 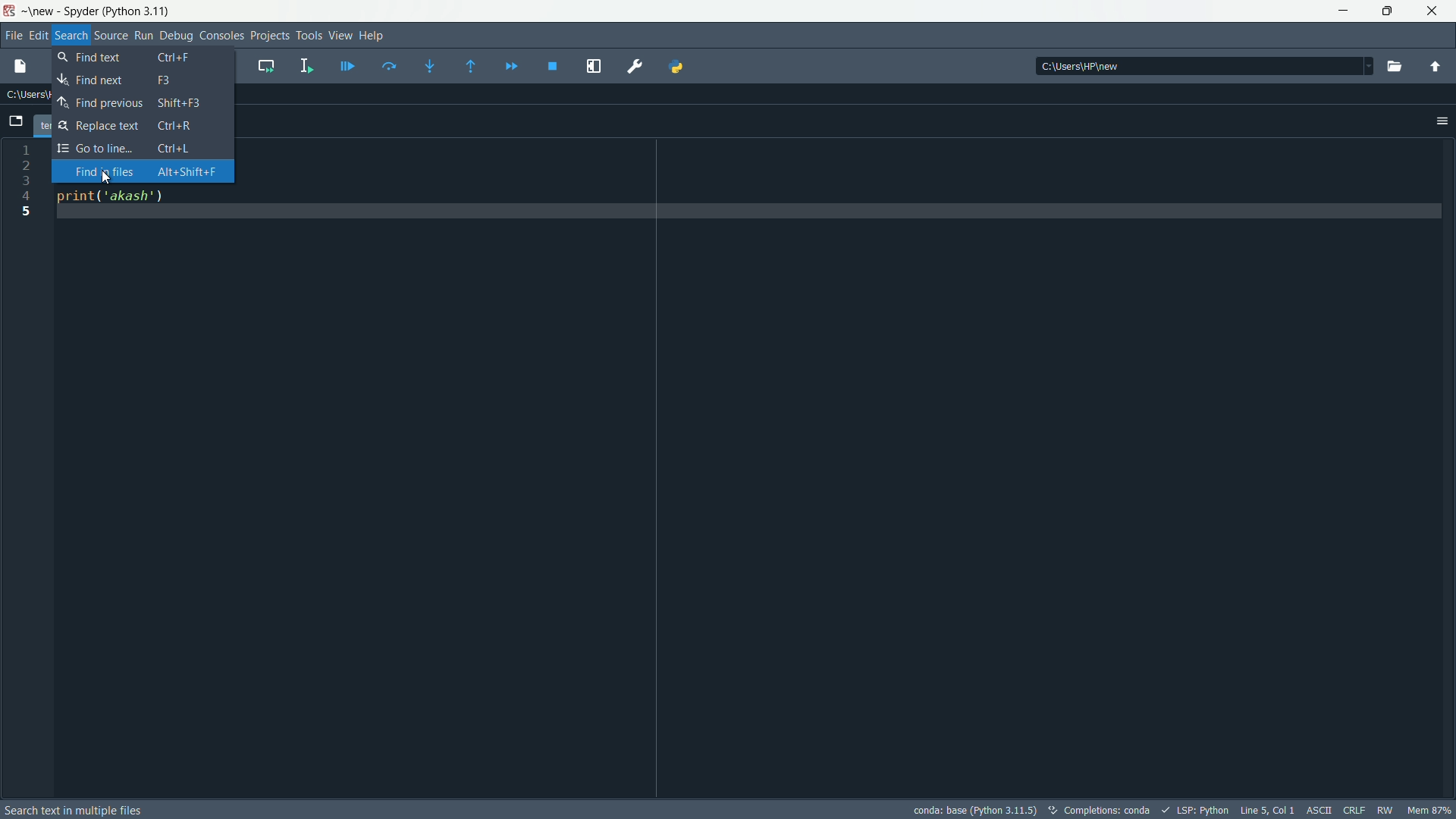 I want to click on rstore, so click(x=1392, y=11).